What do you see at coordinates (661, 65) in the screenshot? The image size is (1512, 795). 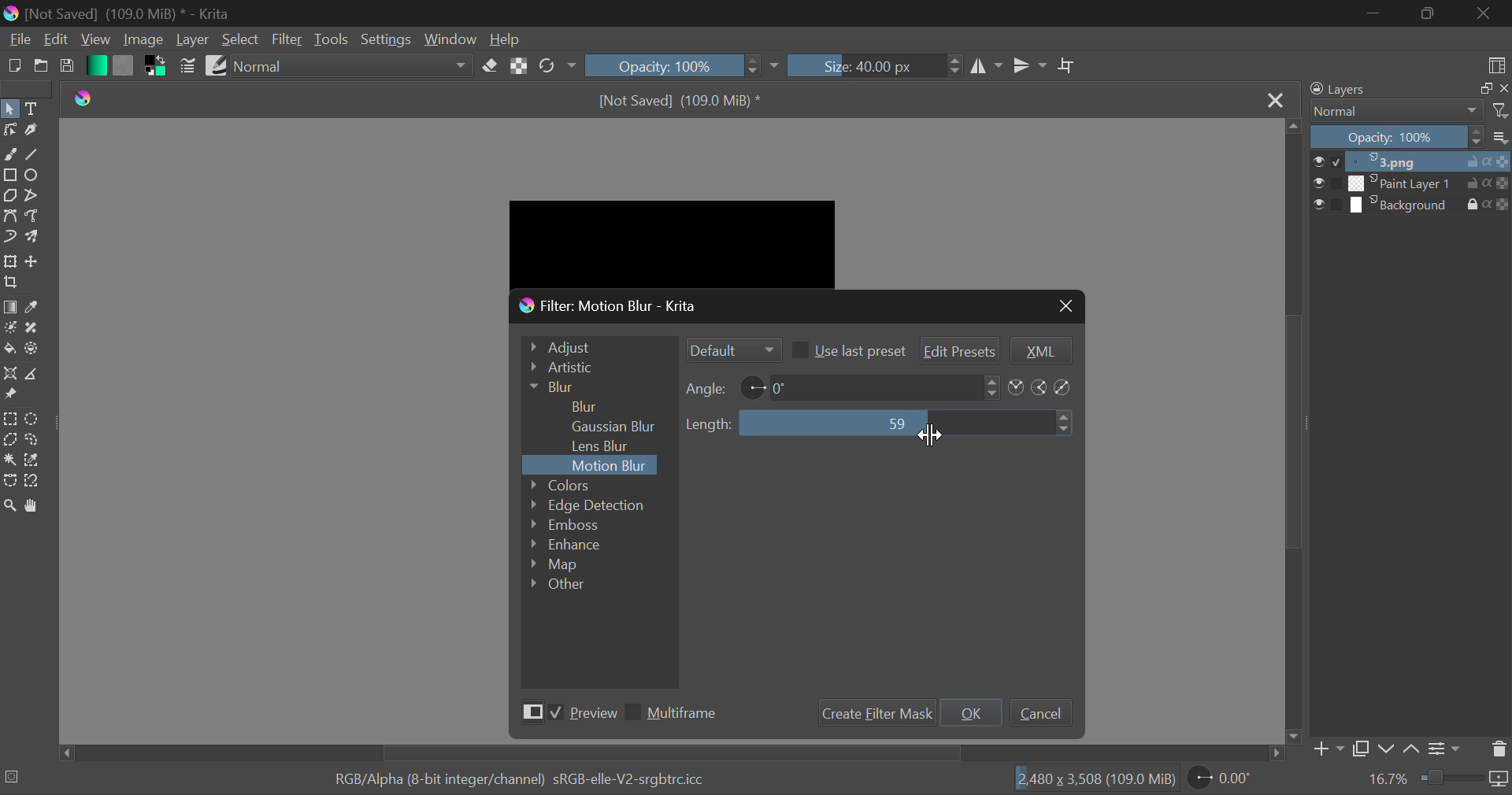 I see `Opacity: 100%` at bounding box center [661, 65].